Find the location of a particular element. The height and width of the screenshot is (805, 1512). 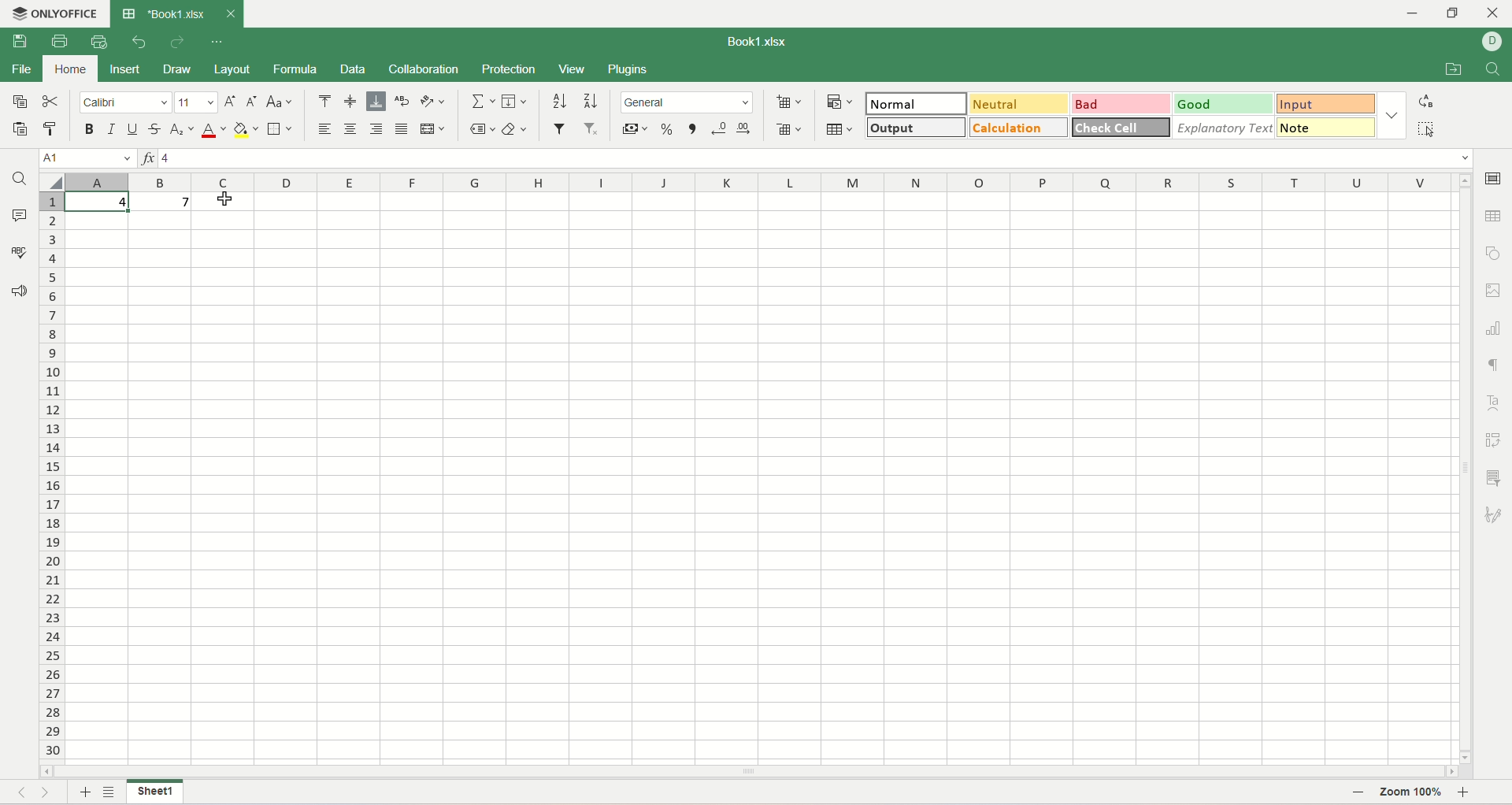

paste is located at coordinates (54, 129).